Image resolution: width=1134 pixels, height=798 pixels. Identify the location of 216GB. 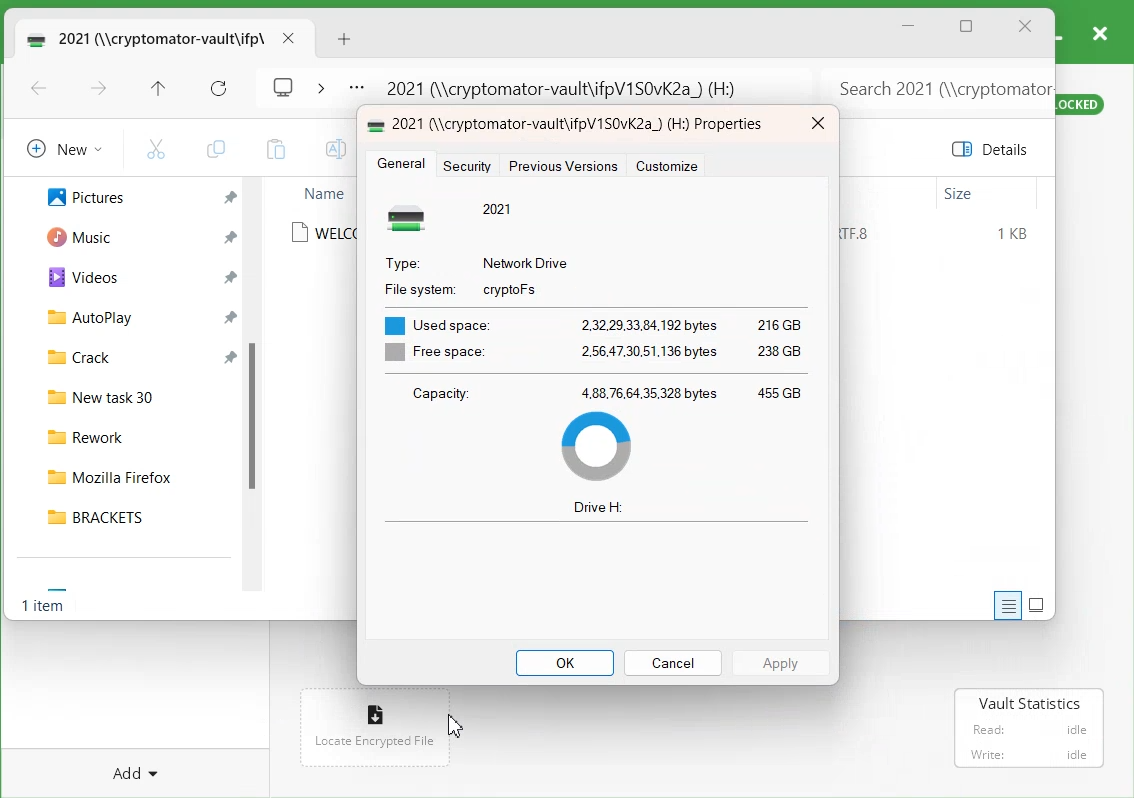
(777, 323).